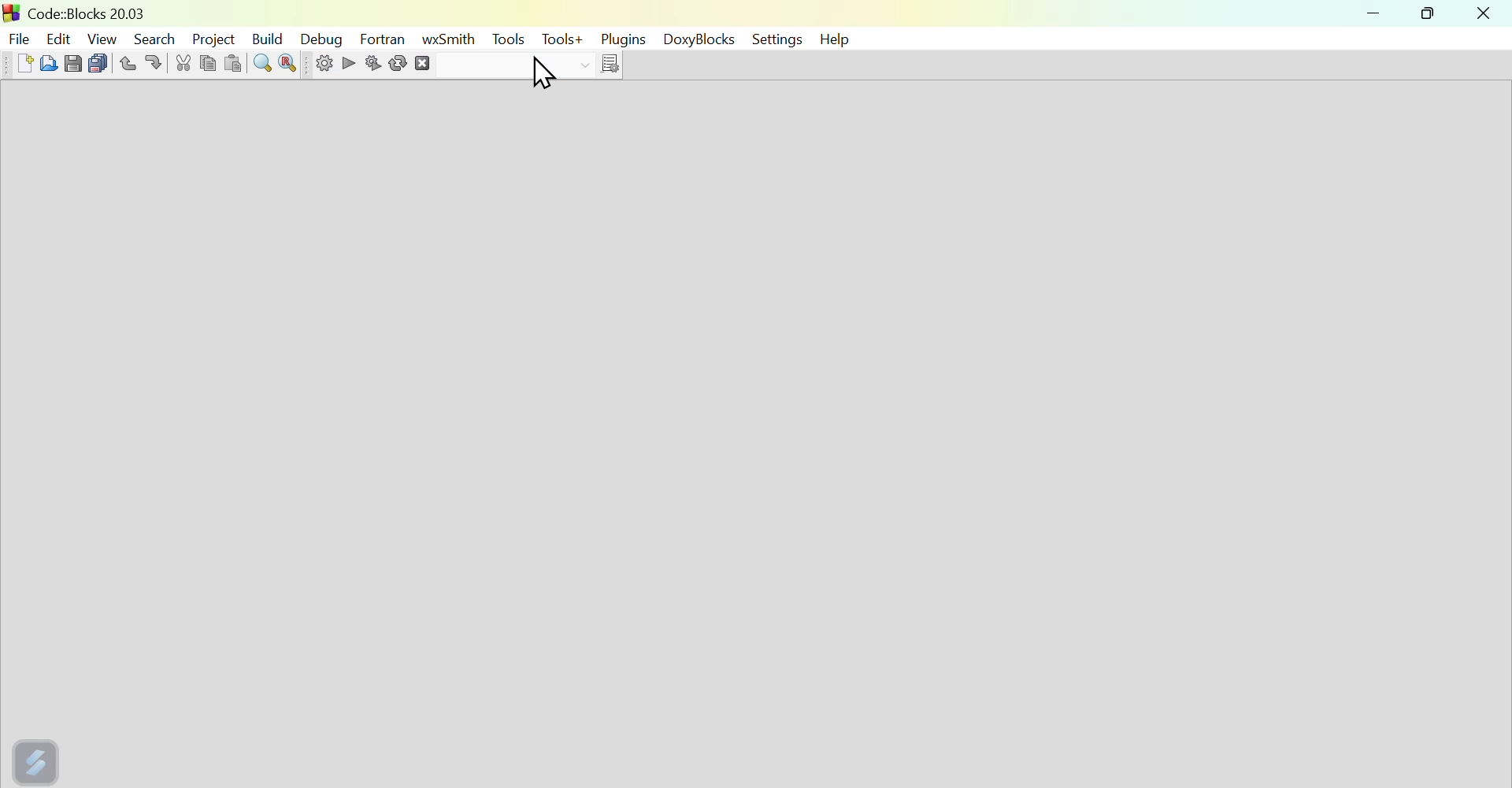 The image size is (1512, 788). What do you see at coordinates (376, 62) in the screenshot?
I see `` at bounding box center [376, 62].